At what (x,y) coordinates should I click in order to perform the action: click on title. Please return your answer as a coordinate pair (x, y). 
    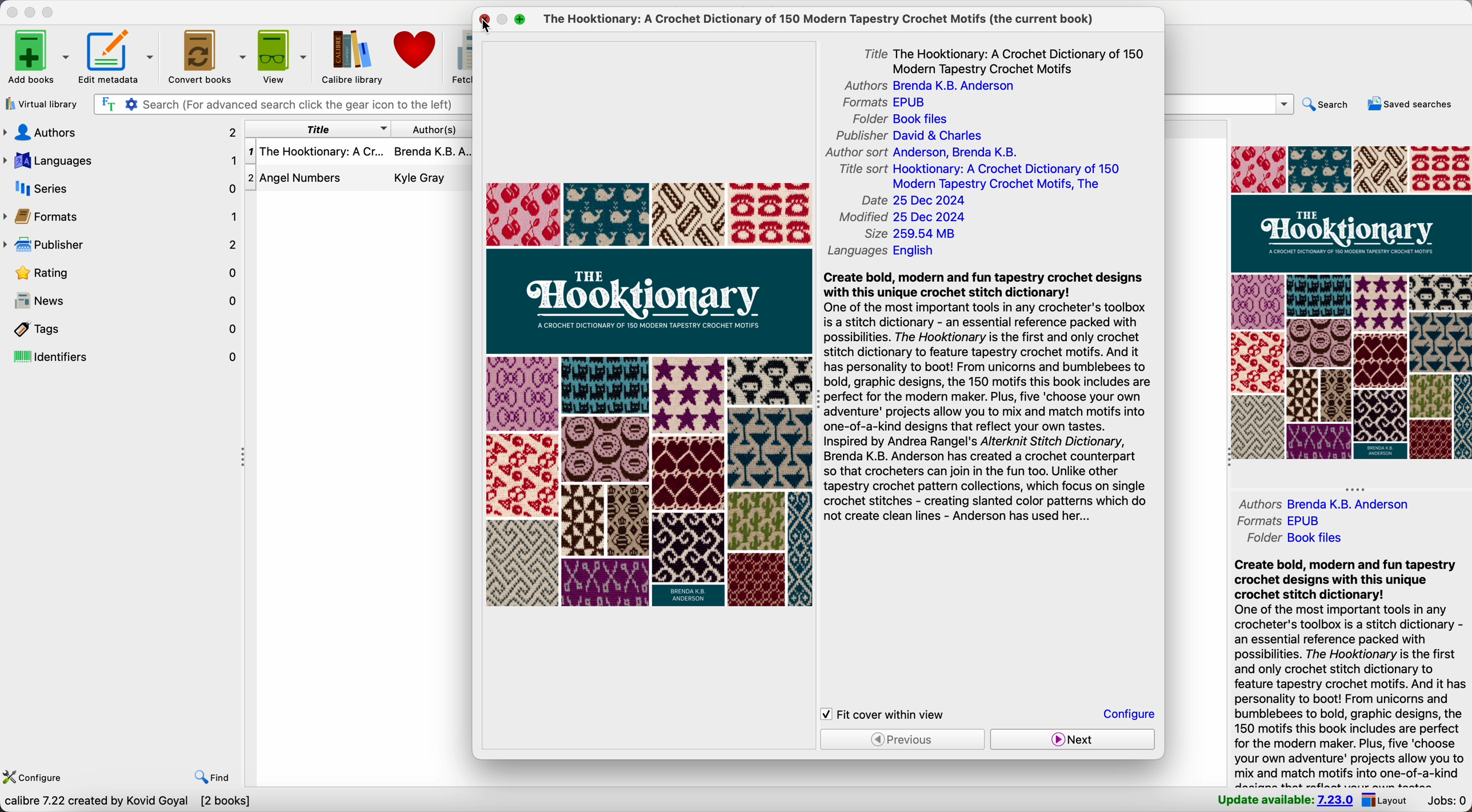
    Looking at the image, I should click on (318, 130).